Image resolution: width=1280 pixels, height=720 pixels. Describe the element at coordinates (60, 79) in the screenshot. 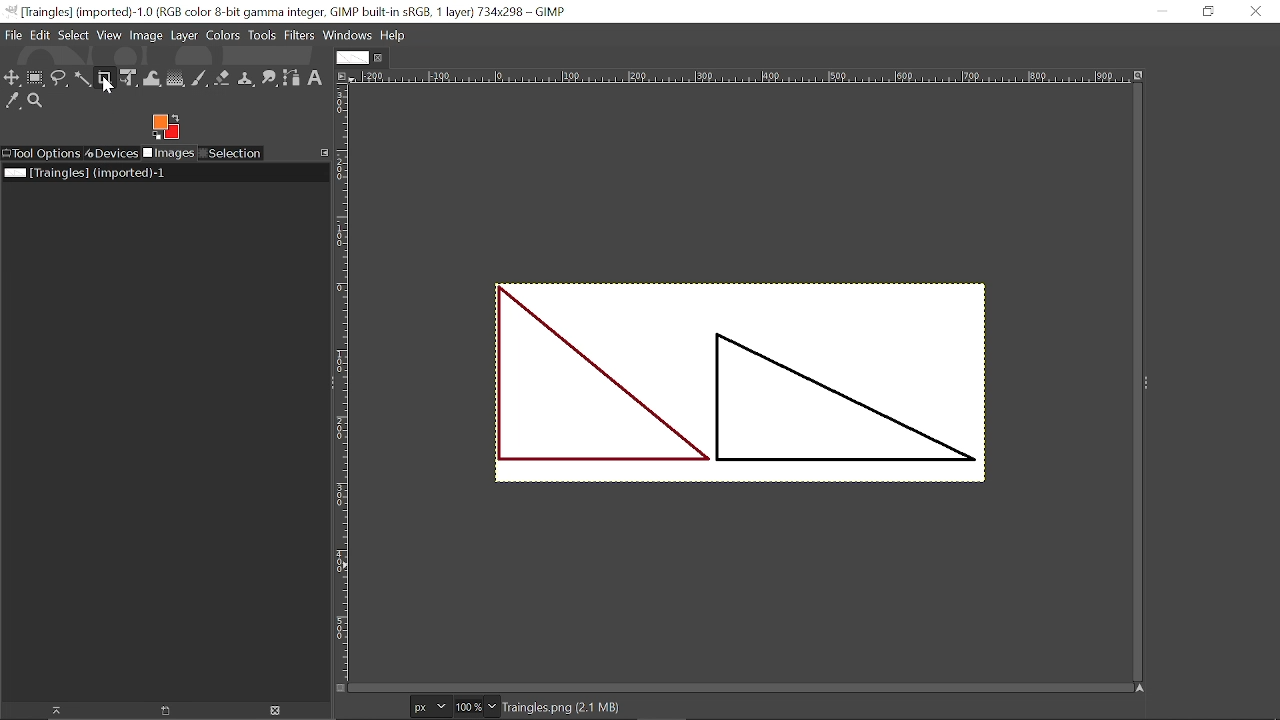

I see `Free select tool` at that location.